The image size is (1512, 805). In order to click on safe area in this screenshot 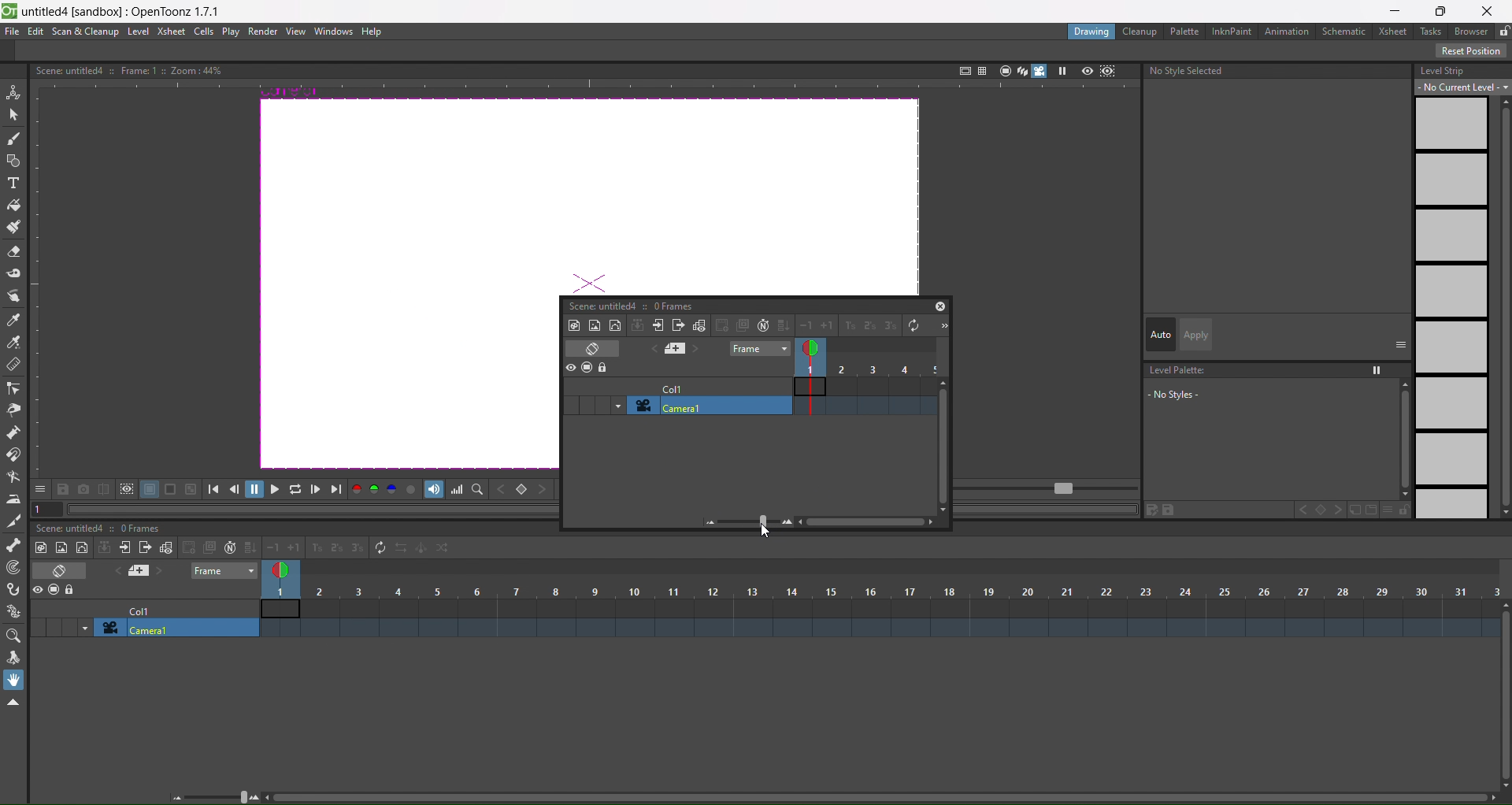, I will do `click(963, 69)`.